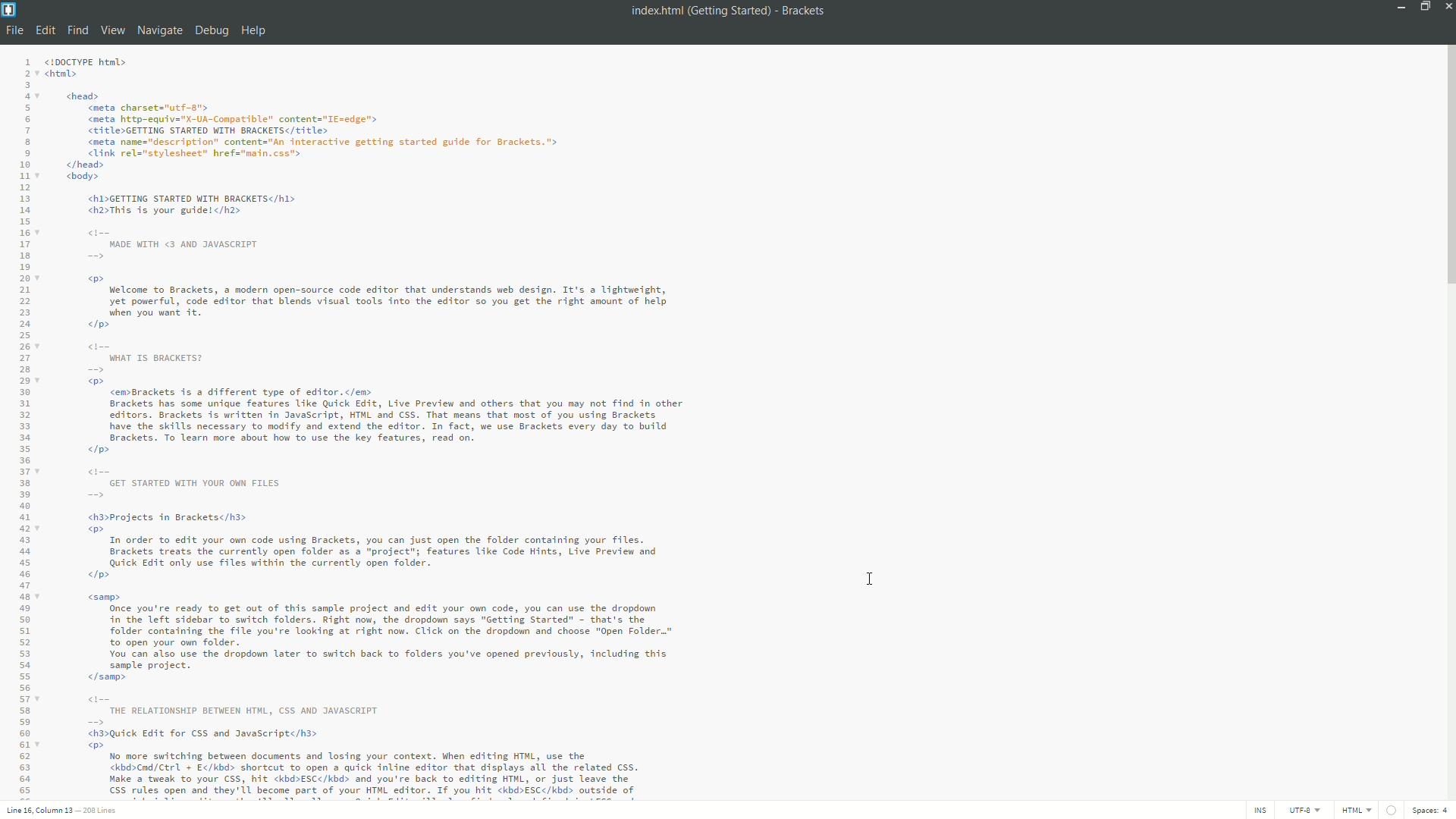 This screenshot has height=819, width=1456. Describe the element at coordinates (45, 31) in the screenshot. I see `edit menu` at that location.